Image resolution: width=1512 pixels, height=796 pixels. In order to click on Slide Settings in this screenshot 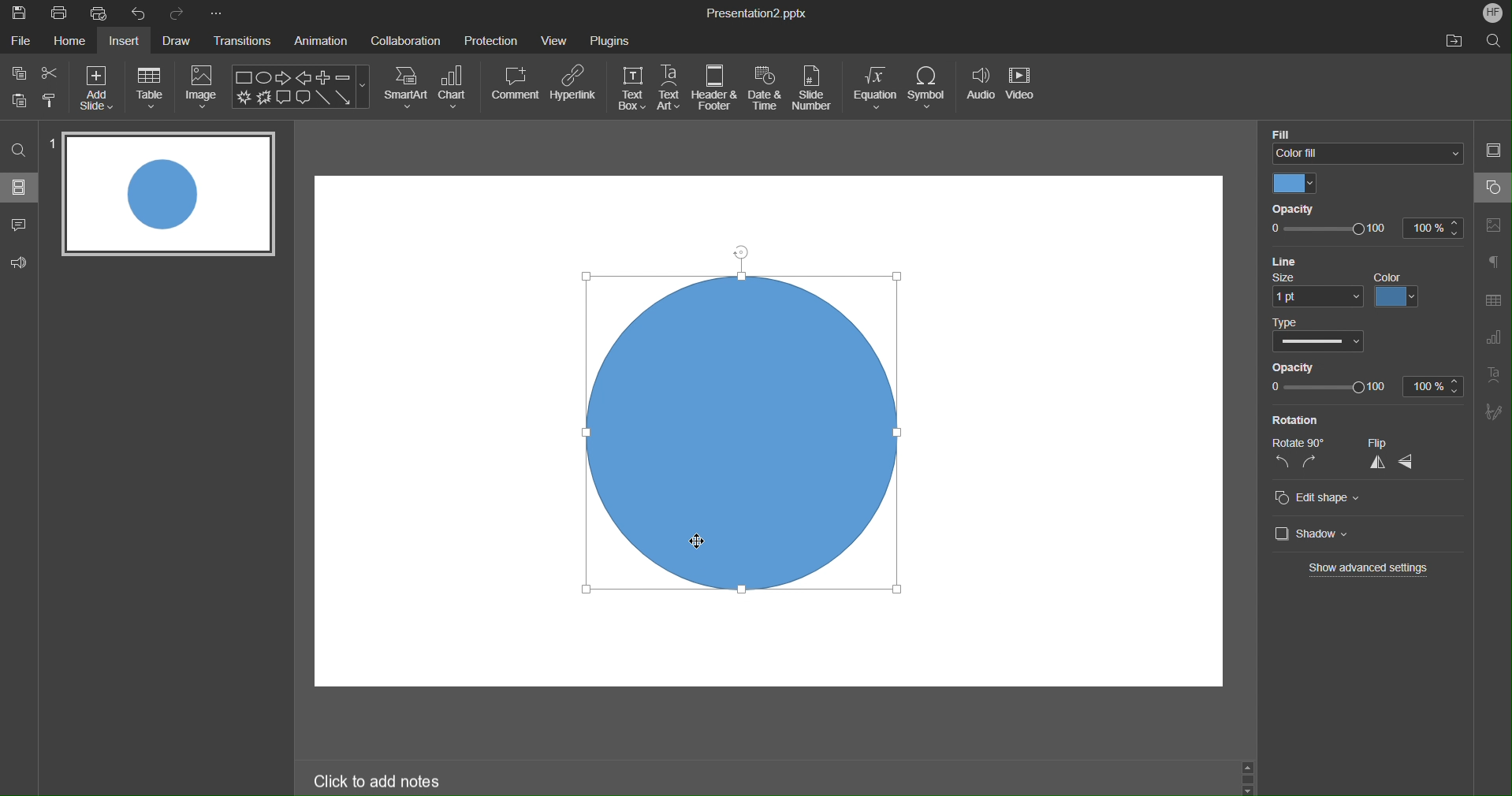, I will do `click(1493, 153)`.